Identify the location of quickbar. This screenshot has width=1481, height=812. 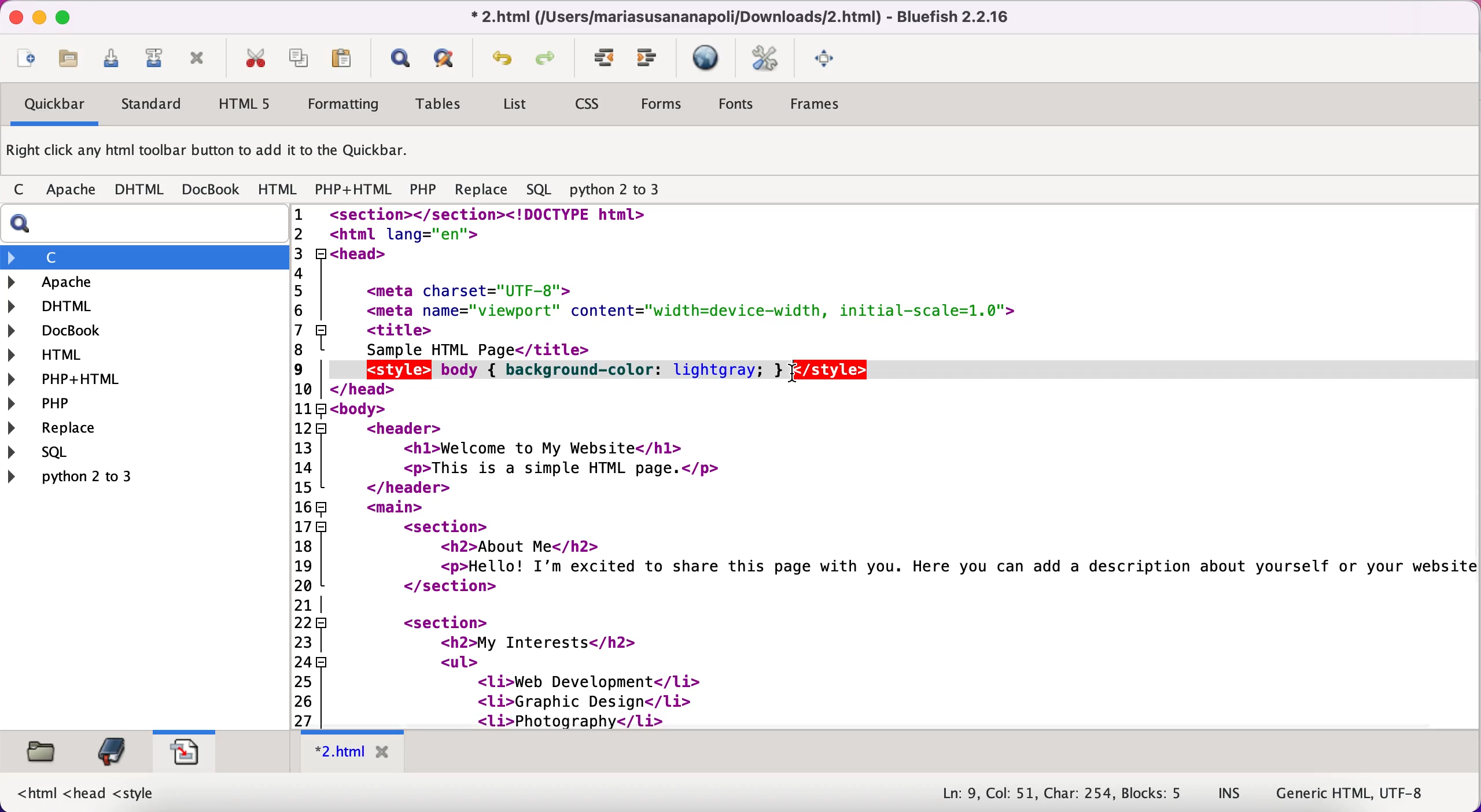
(53, 106).